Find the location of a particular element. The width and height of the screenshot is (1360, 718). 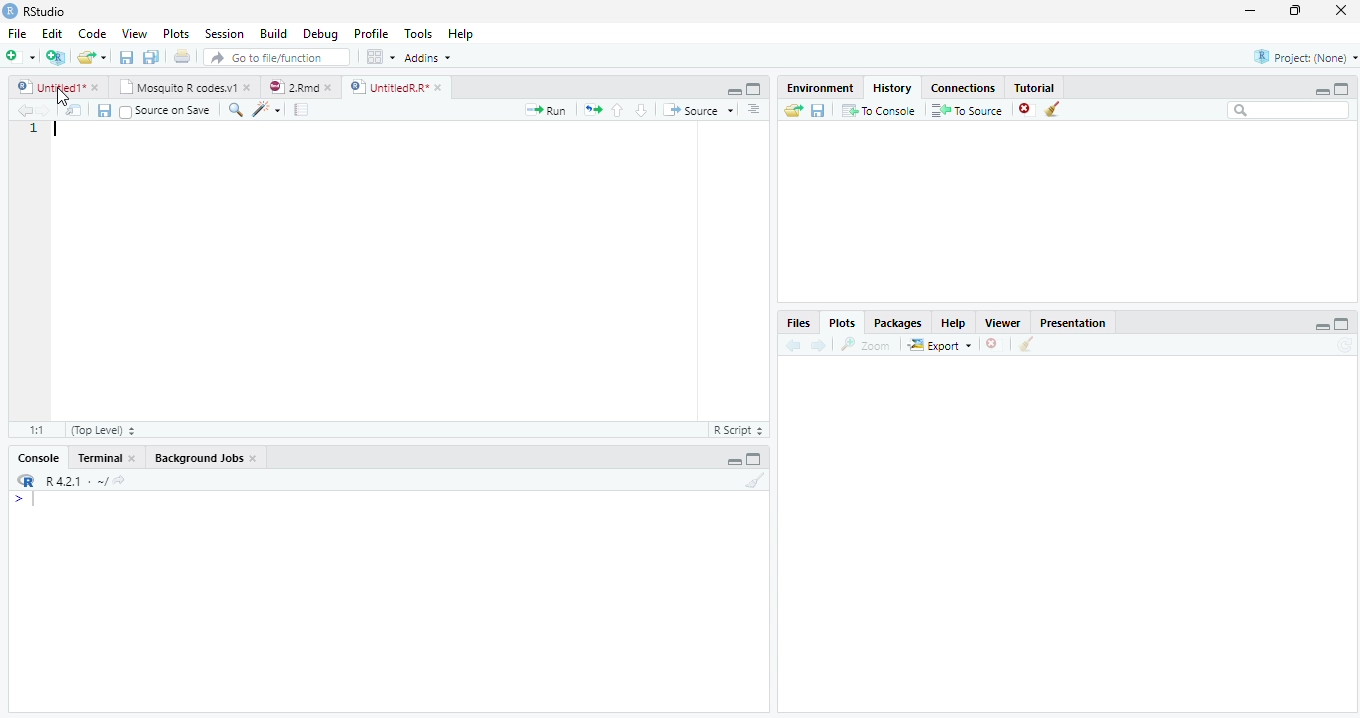

Console is located at coordinates (41, 457).